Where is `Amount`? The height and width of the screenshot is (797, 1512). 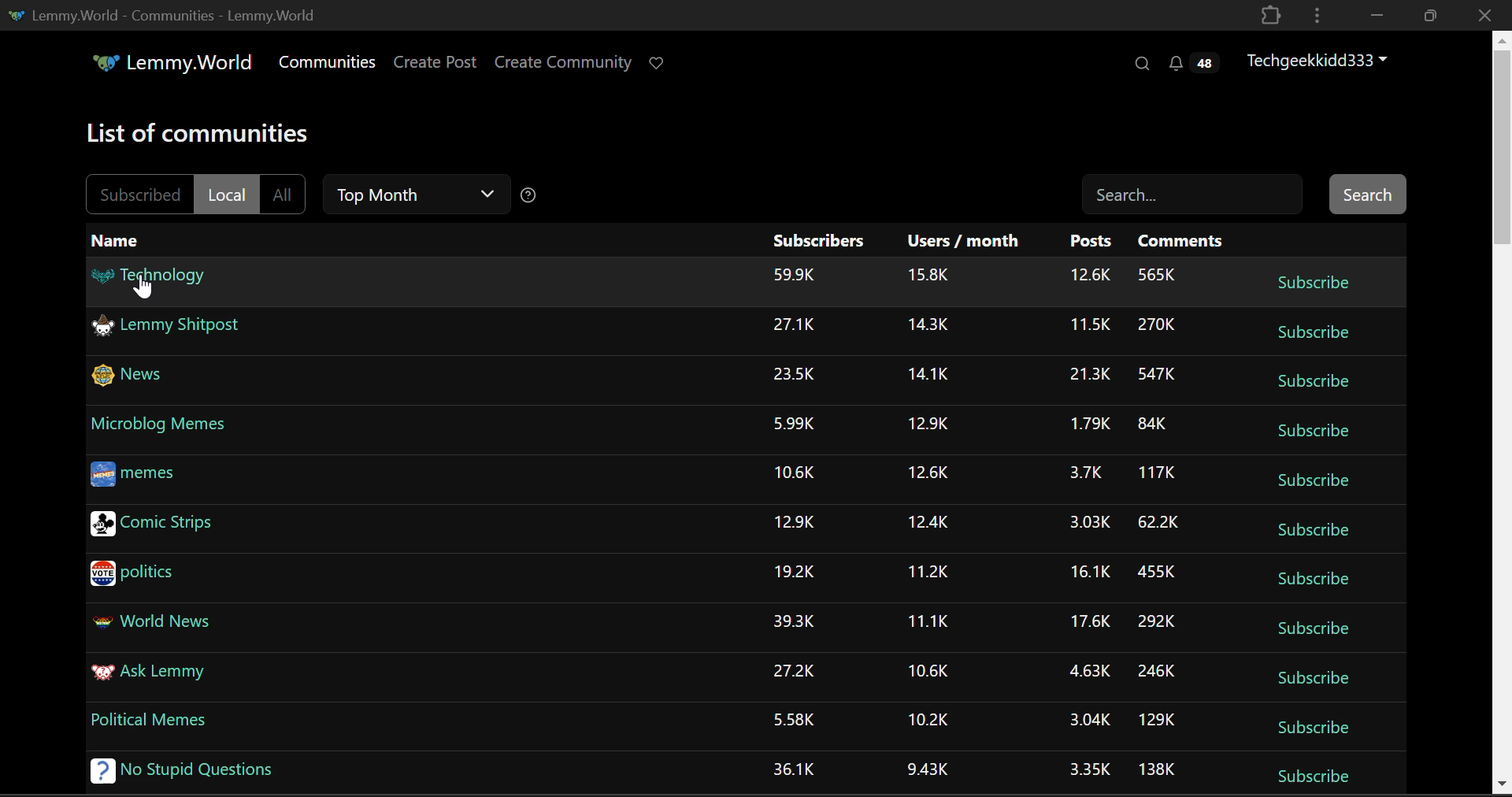 Amount is located at coordinates (795, 273).